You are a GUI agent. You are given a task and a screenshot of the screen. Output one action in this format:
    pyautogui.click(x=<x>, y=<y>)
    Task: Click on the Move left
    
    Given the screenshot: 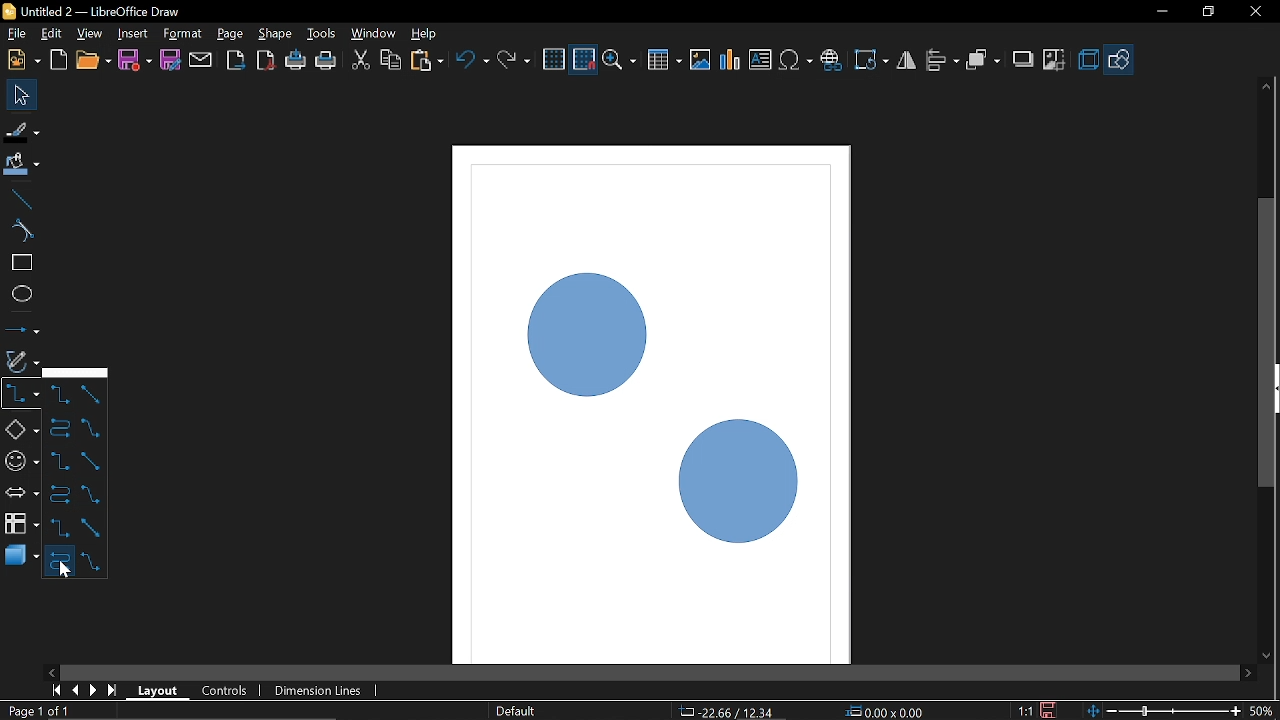 What is the action you would take?
    pyautogui.click(x=51, y=672)
    